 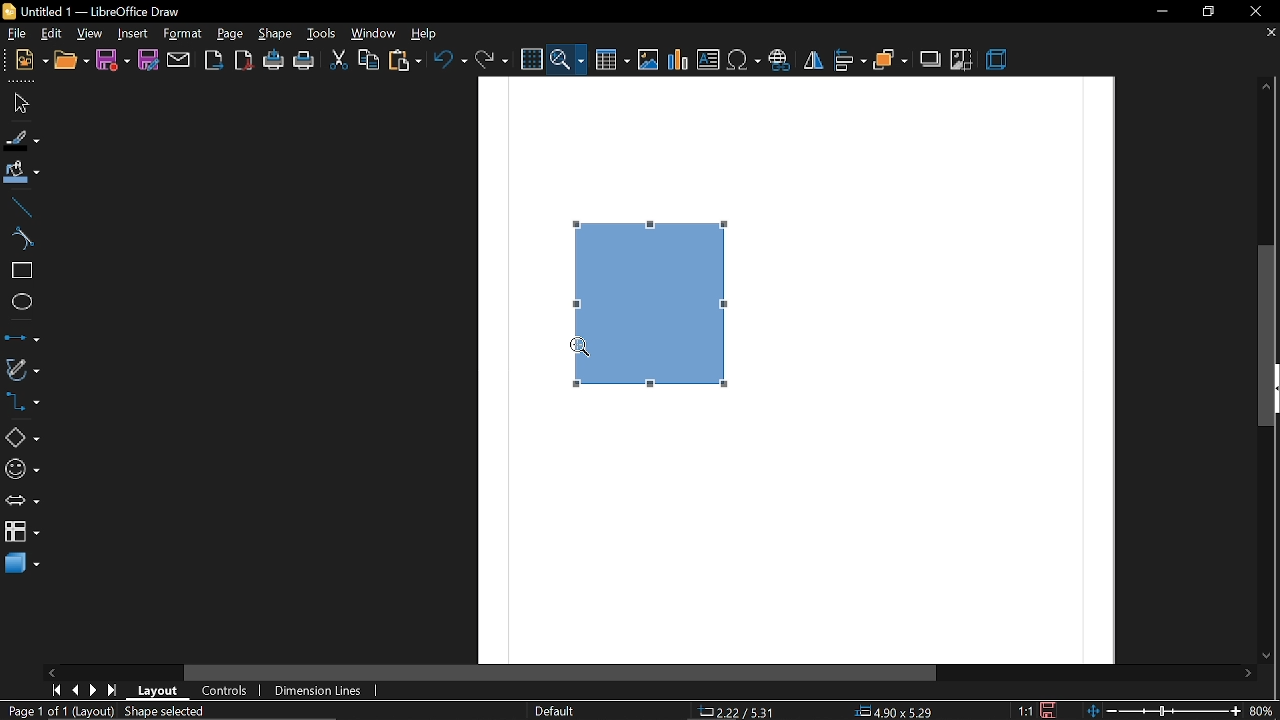 I want to click on next page, so click(x=93, y=690).